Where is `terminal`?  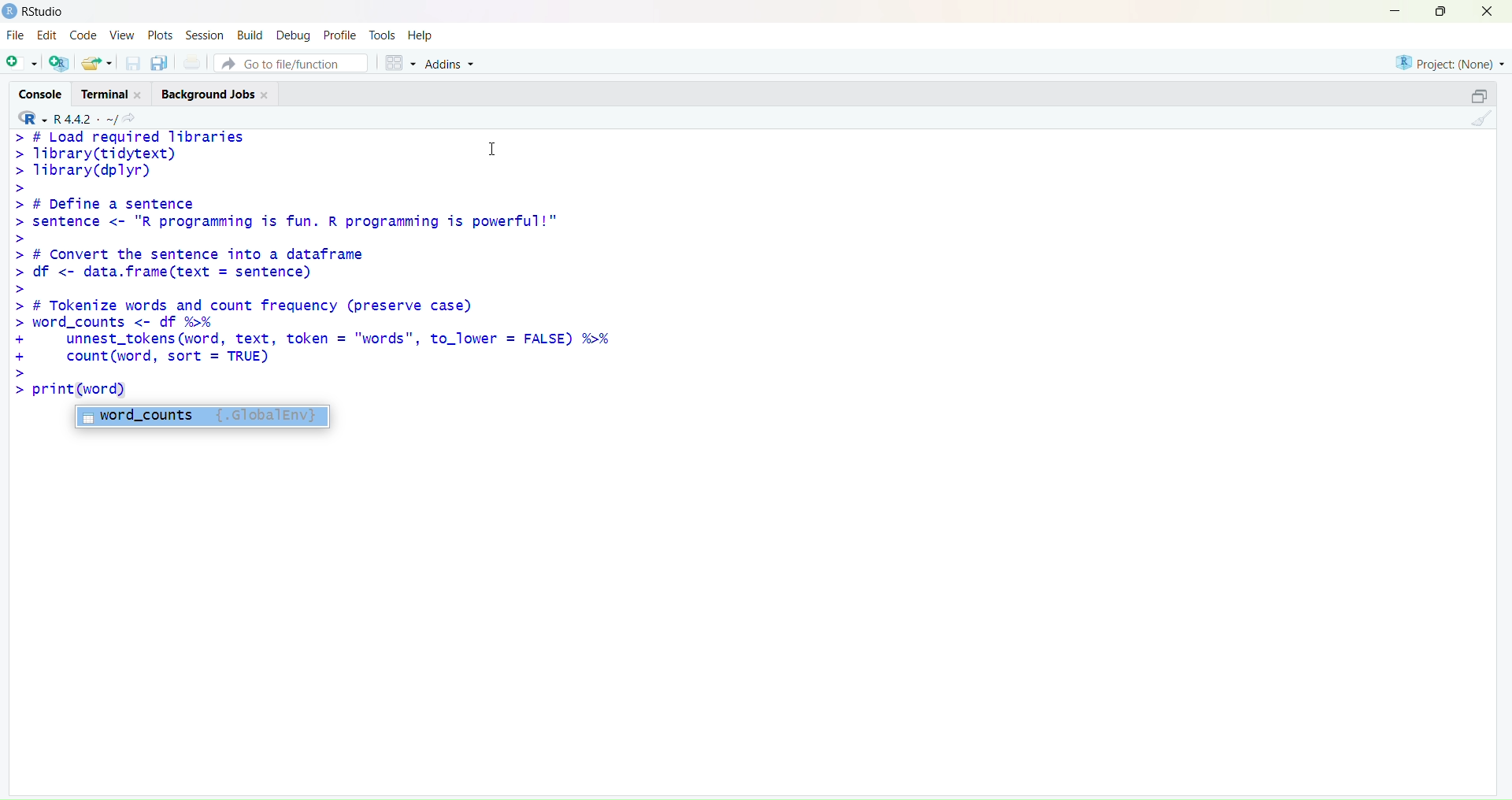 terminal is located at coordinates (111, 93).